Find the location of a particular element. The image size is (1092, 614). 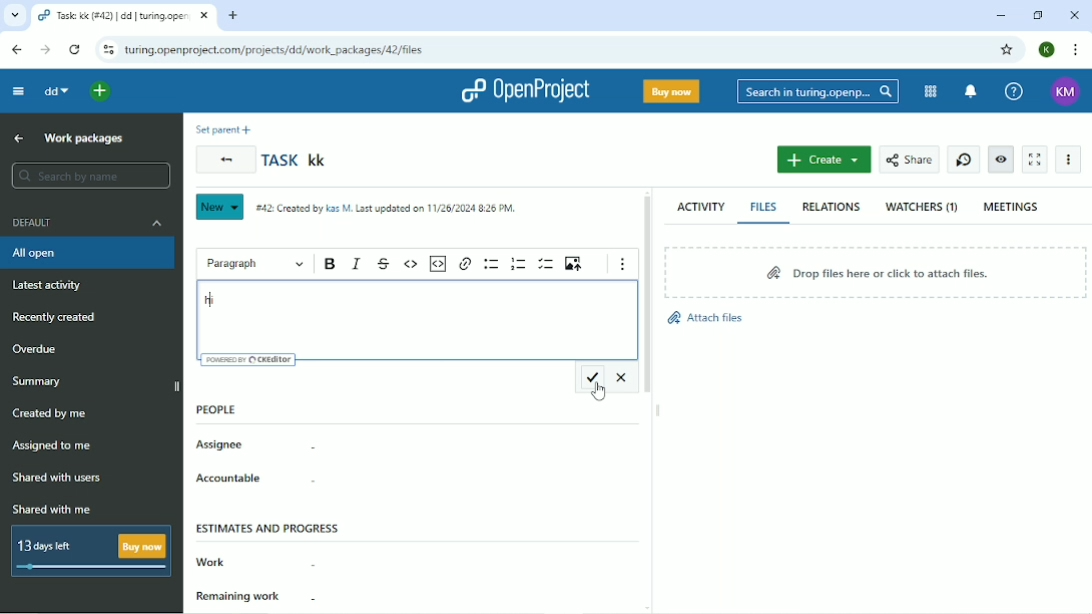

Overdue is located at coordinates (37, 350).